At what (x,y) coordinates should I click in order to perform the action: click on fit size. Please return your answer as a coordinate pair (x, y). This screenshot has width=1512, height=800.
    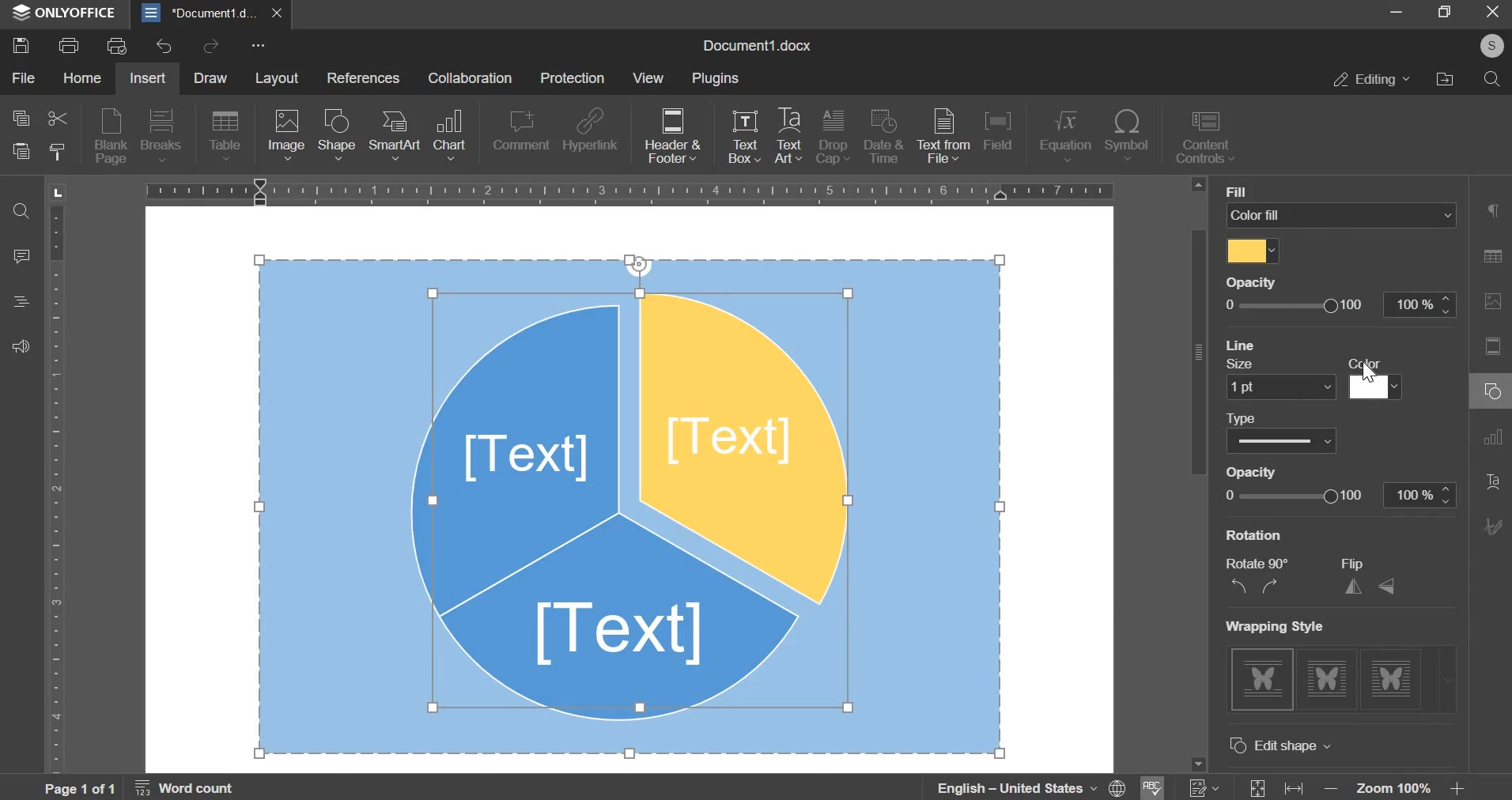
    Looking at the image, I should click on (1257, 783).